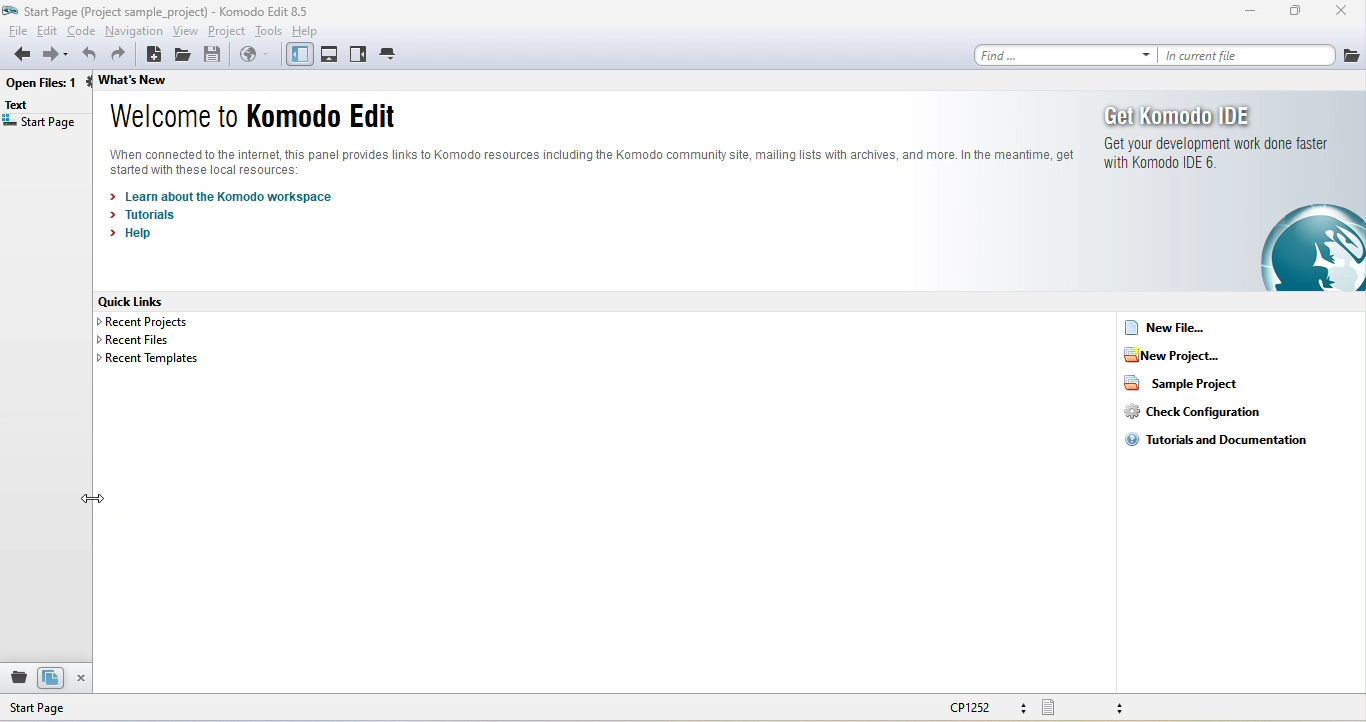 This screenshot has width=1366, height=722. What do you see at coordinates (1246, 55) in the screenshot?
I see `in current file` at bounding box center [1246, 55].